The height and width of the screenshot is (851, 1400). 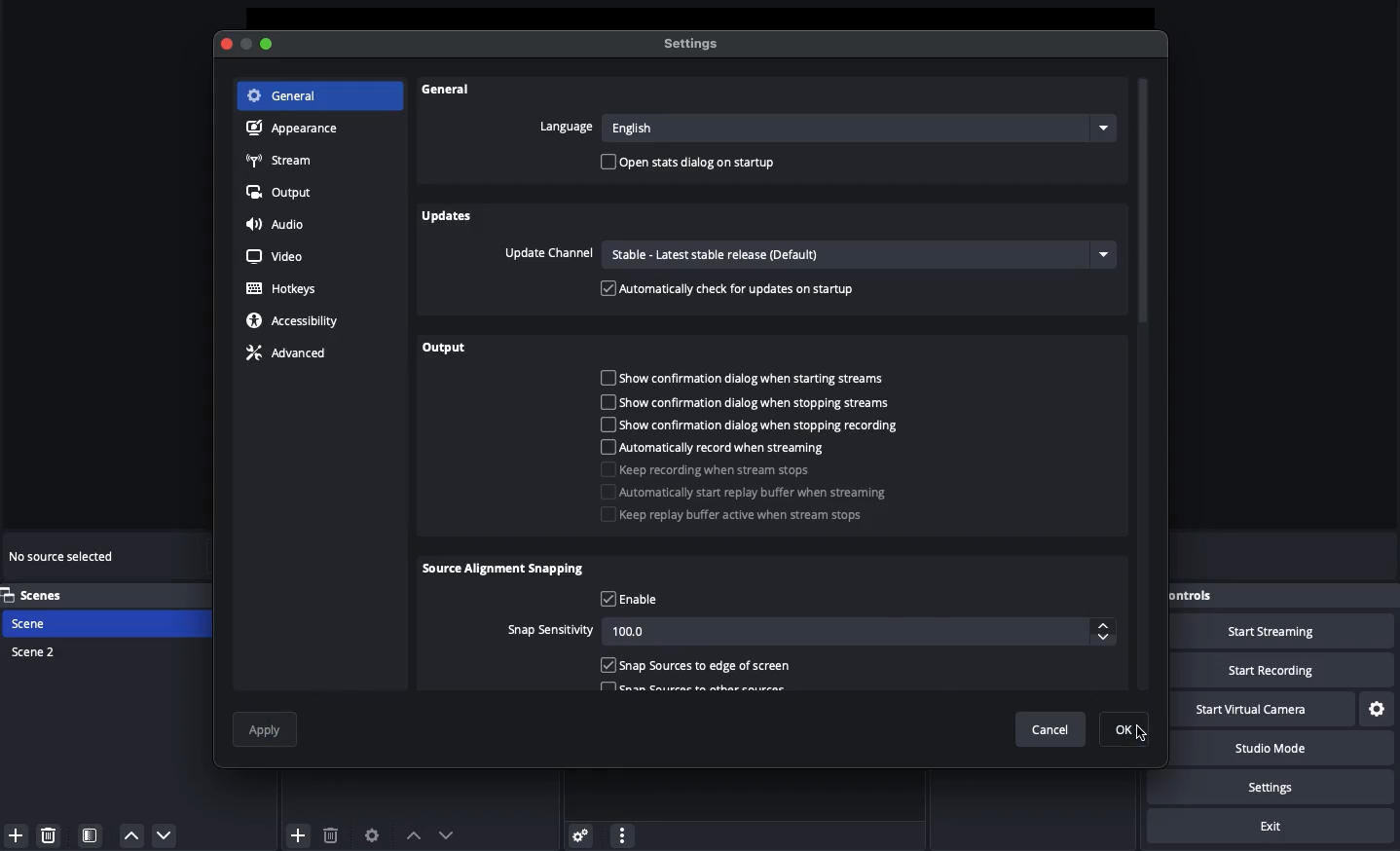 I want to click on Advanced, so click(x=293, y=354).